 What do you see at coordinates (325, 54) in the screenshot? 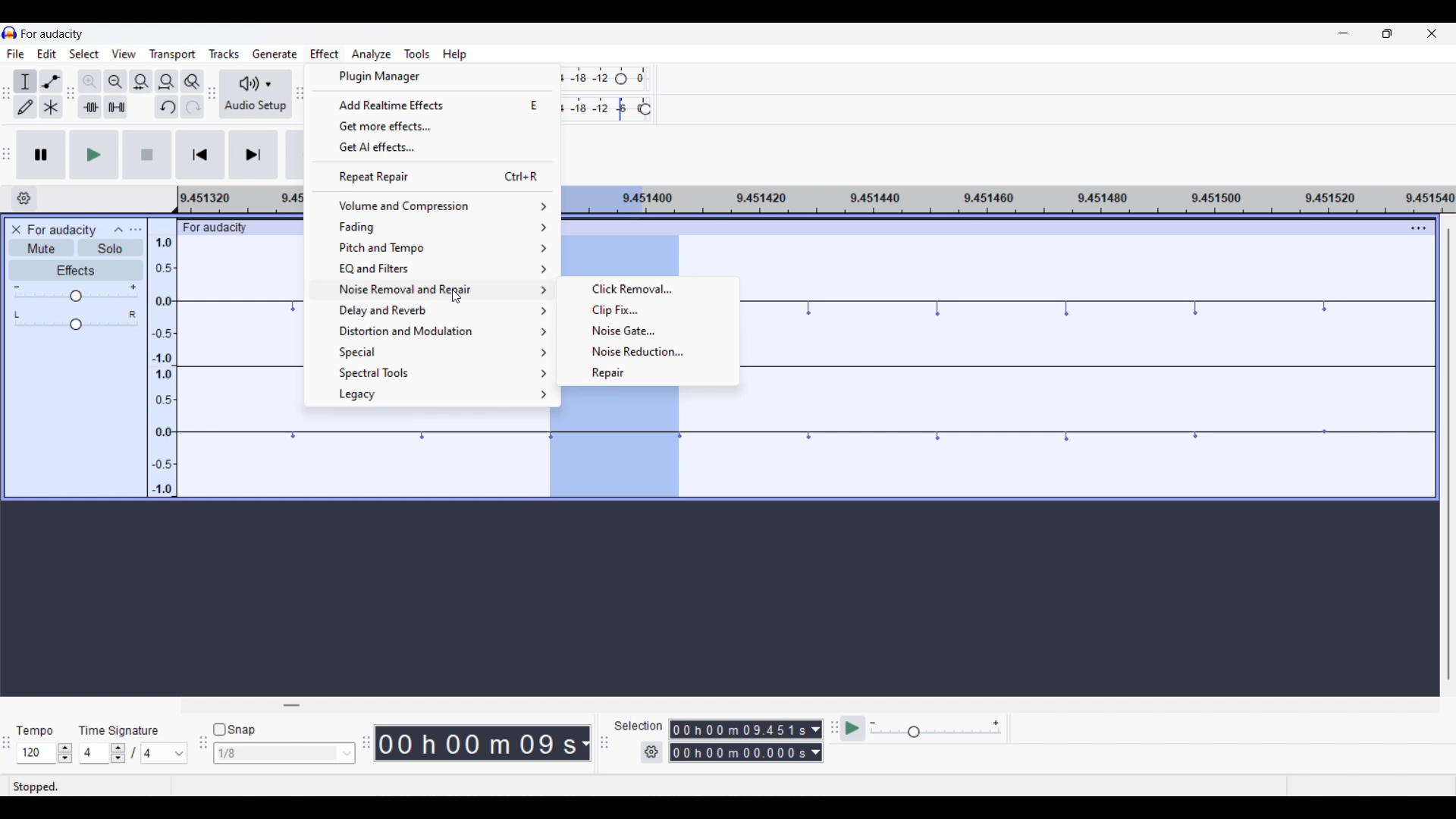
I see `Effect menu` at bounding box center [325, 54].